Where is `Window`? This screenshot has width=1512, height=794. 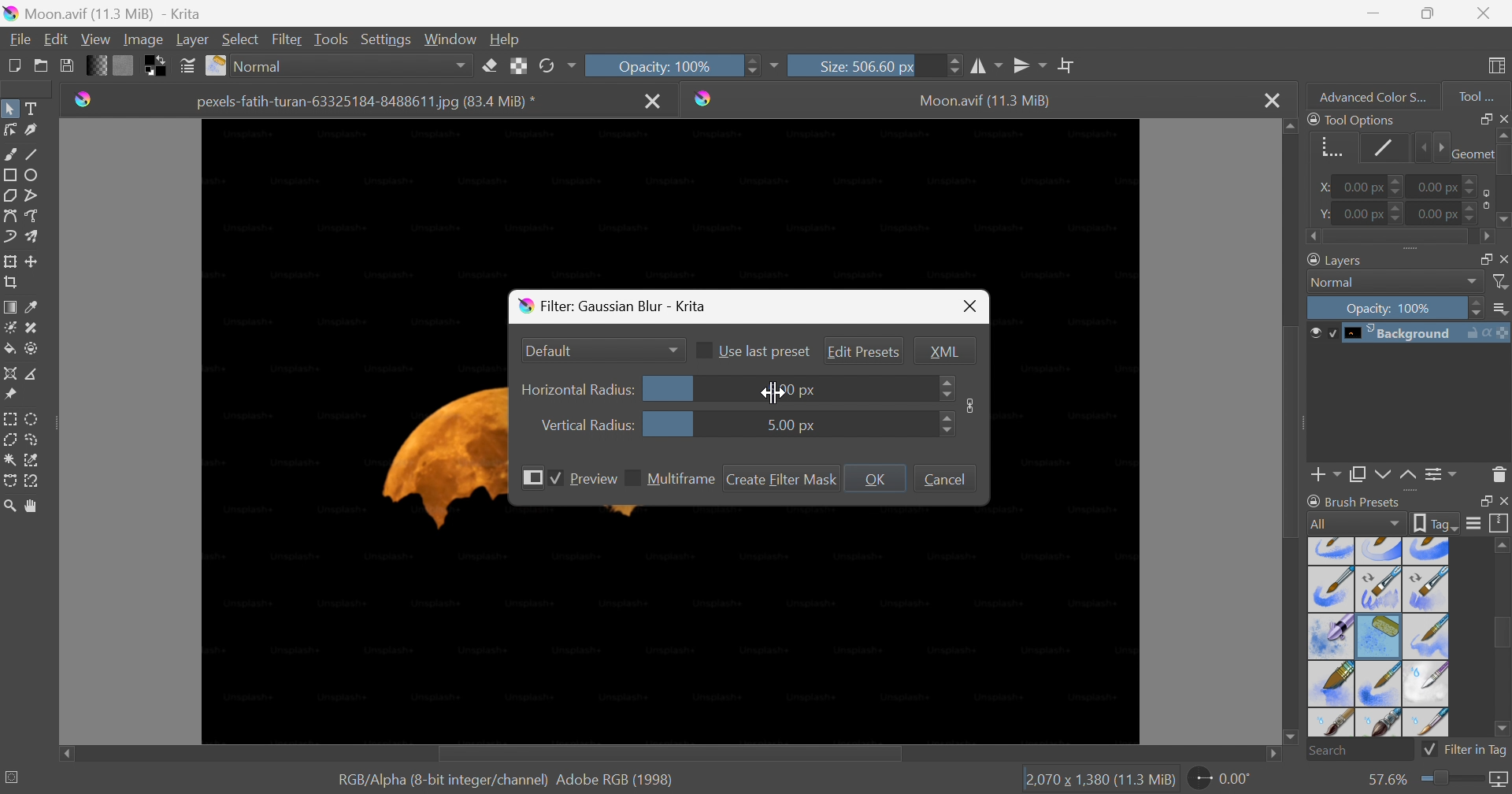
Window is located at coordinates (447, 40).